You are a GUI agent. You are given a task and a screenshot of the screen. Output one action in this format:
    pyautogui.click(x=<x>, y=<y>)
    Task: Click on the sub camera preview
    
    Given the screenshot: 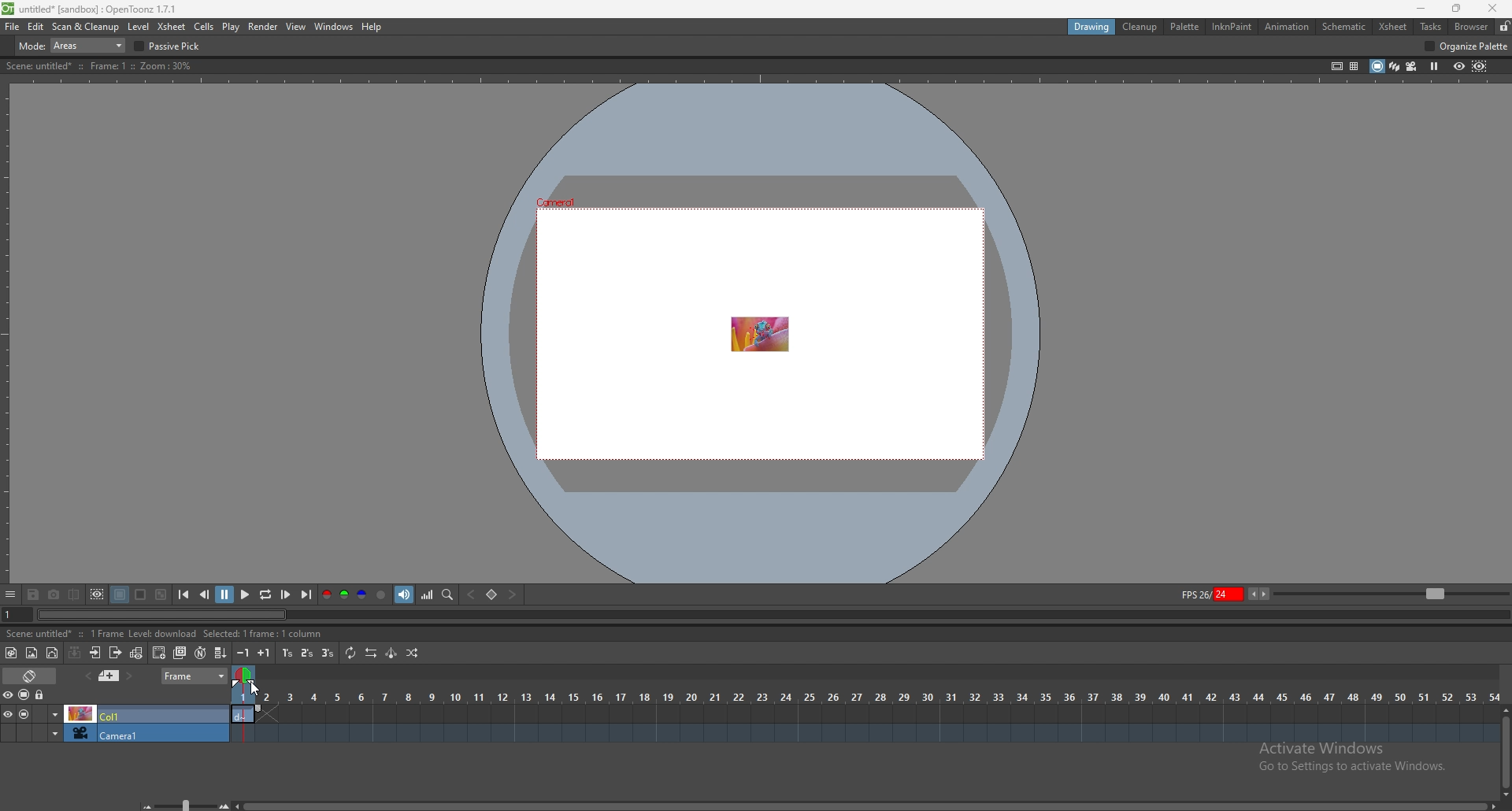 What is the action you would take?
    pyautogui.click(x=1480, y=67)
    